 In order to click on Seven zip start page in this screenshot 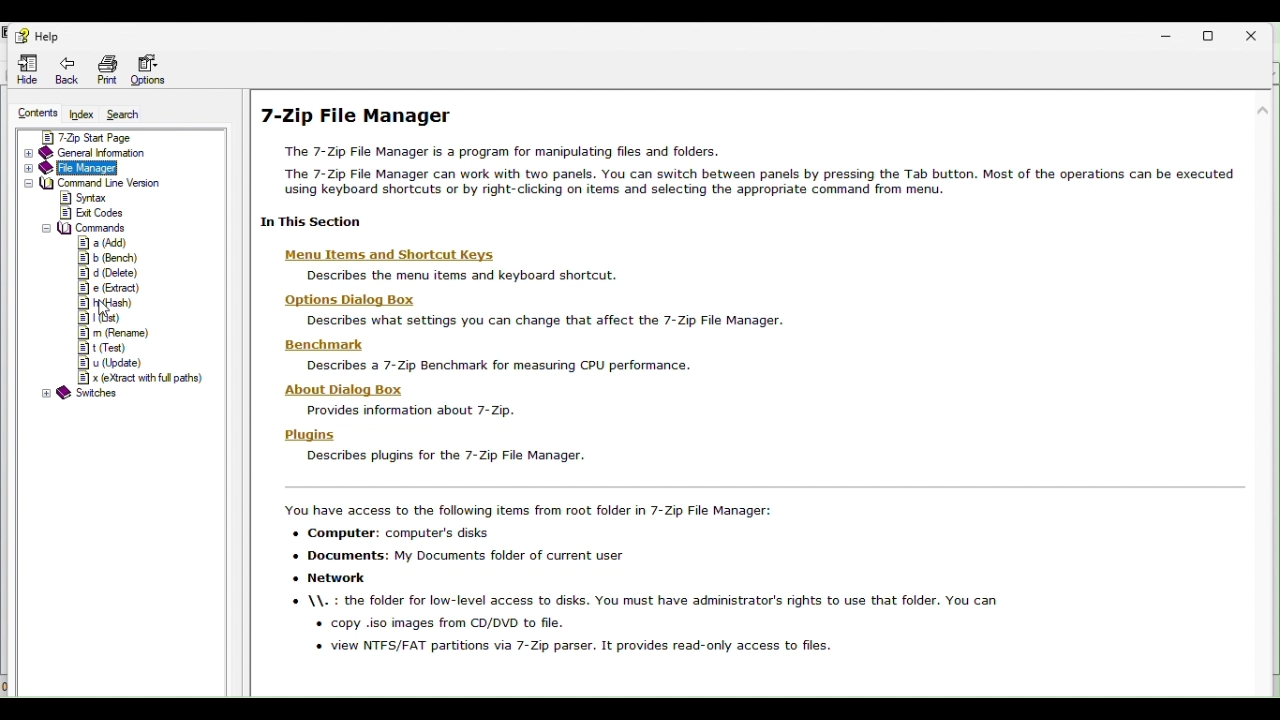, I will do `click(123, 137)`.